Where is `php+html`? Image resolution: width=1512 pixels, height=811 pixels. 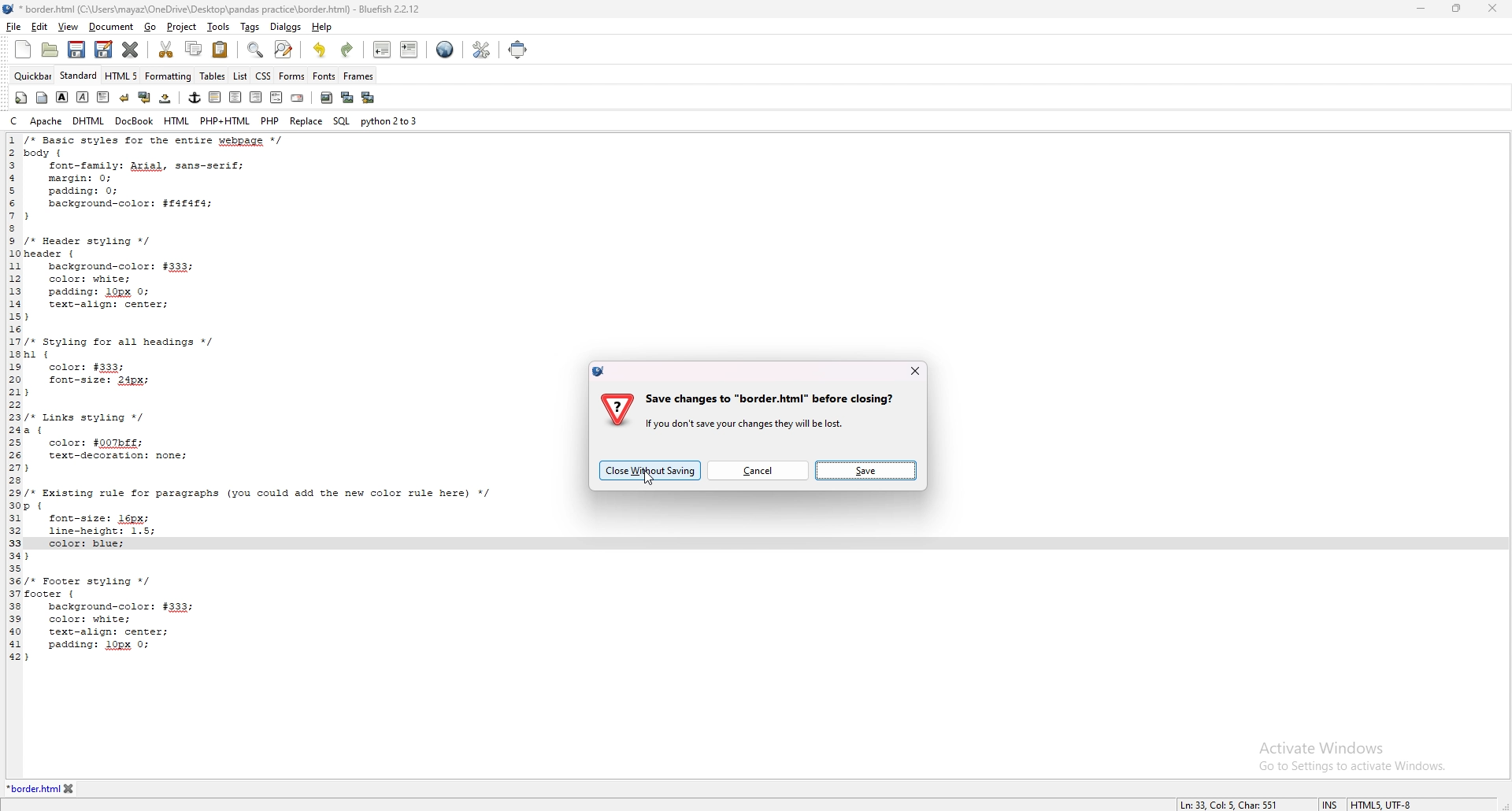 php+html is located at coordinates (226, 121).